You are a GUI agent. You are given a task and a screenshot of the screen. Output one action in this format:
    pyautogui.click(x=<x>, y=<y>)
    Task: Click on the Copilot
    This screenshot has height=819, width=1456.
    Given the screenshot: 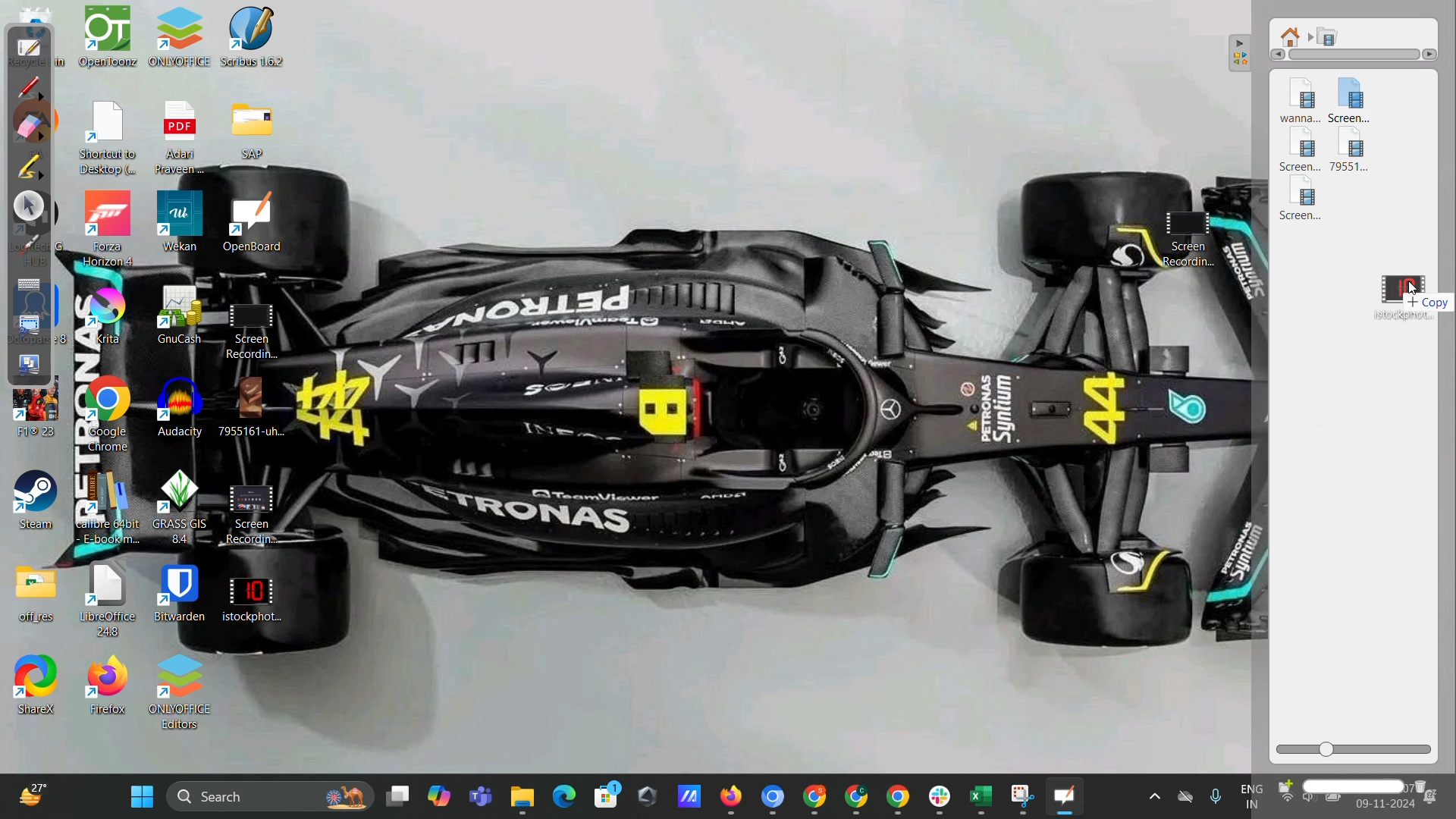 What is the action you would take?
    pyautogui.click(x=437, y=798)
    